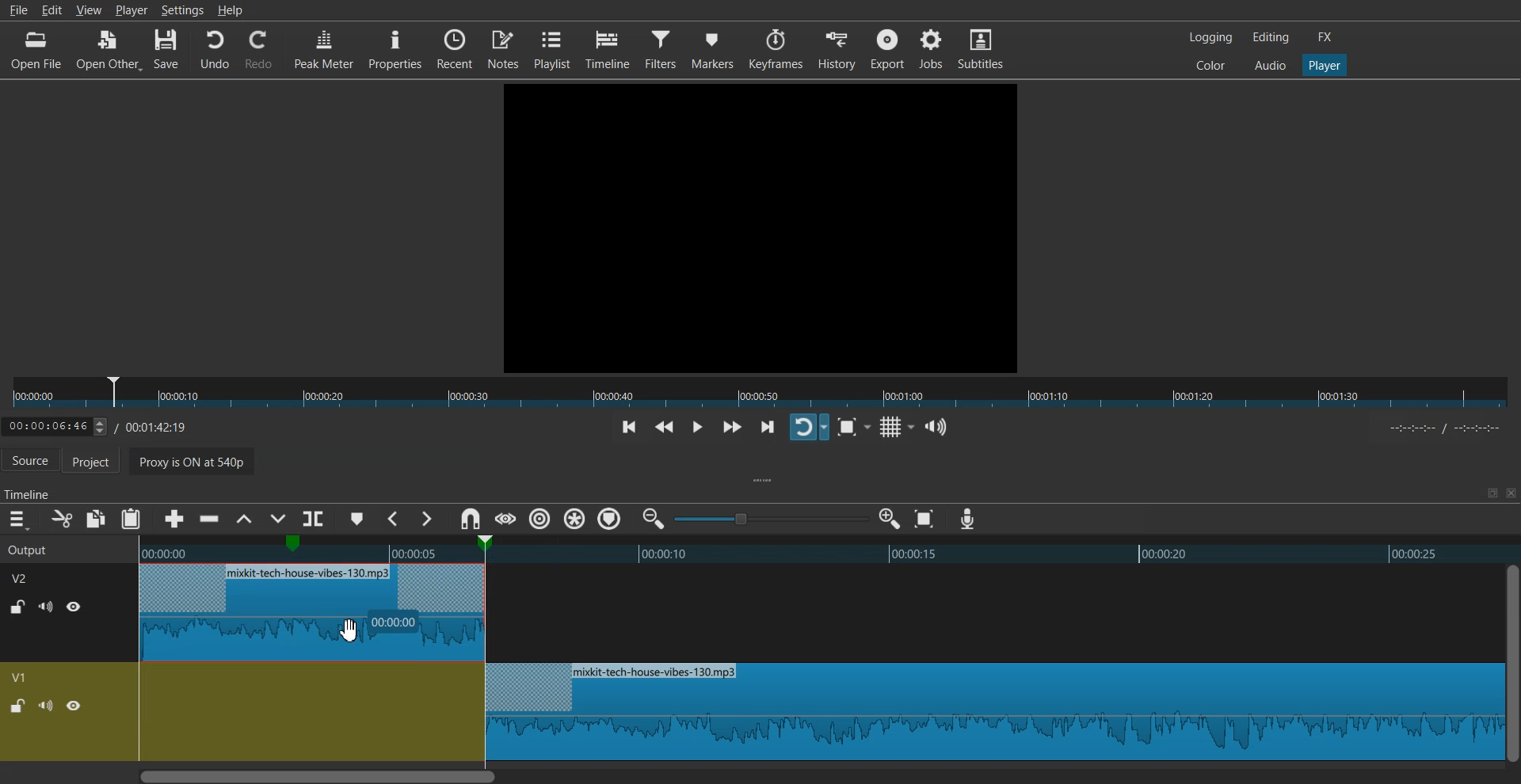  I want to click on Overwrite, so click(276, 520).